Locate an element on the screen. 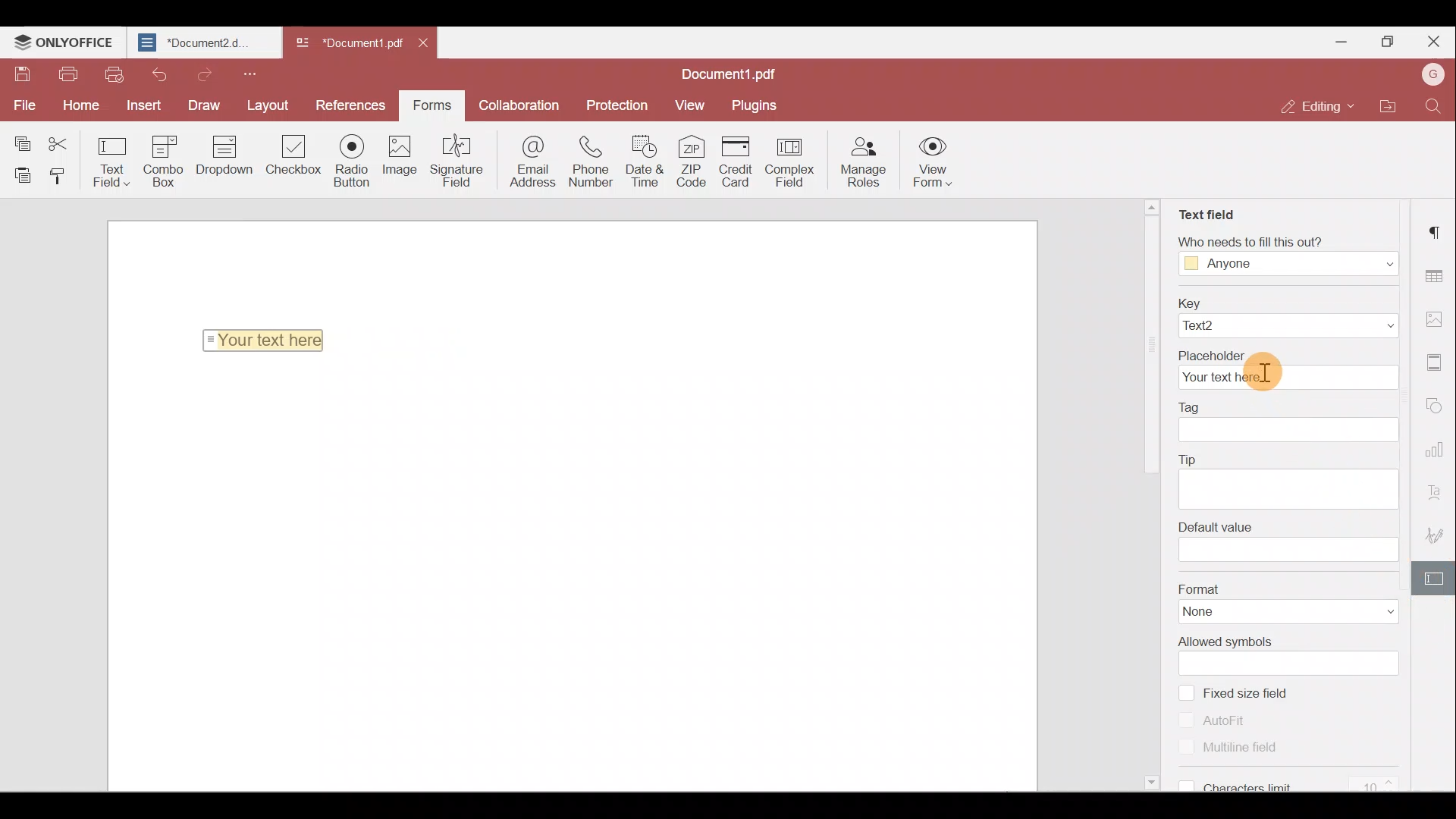 The height and width of the screenshot is (819, 1456). tip filed is located at coordinates (1285, 488).